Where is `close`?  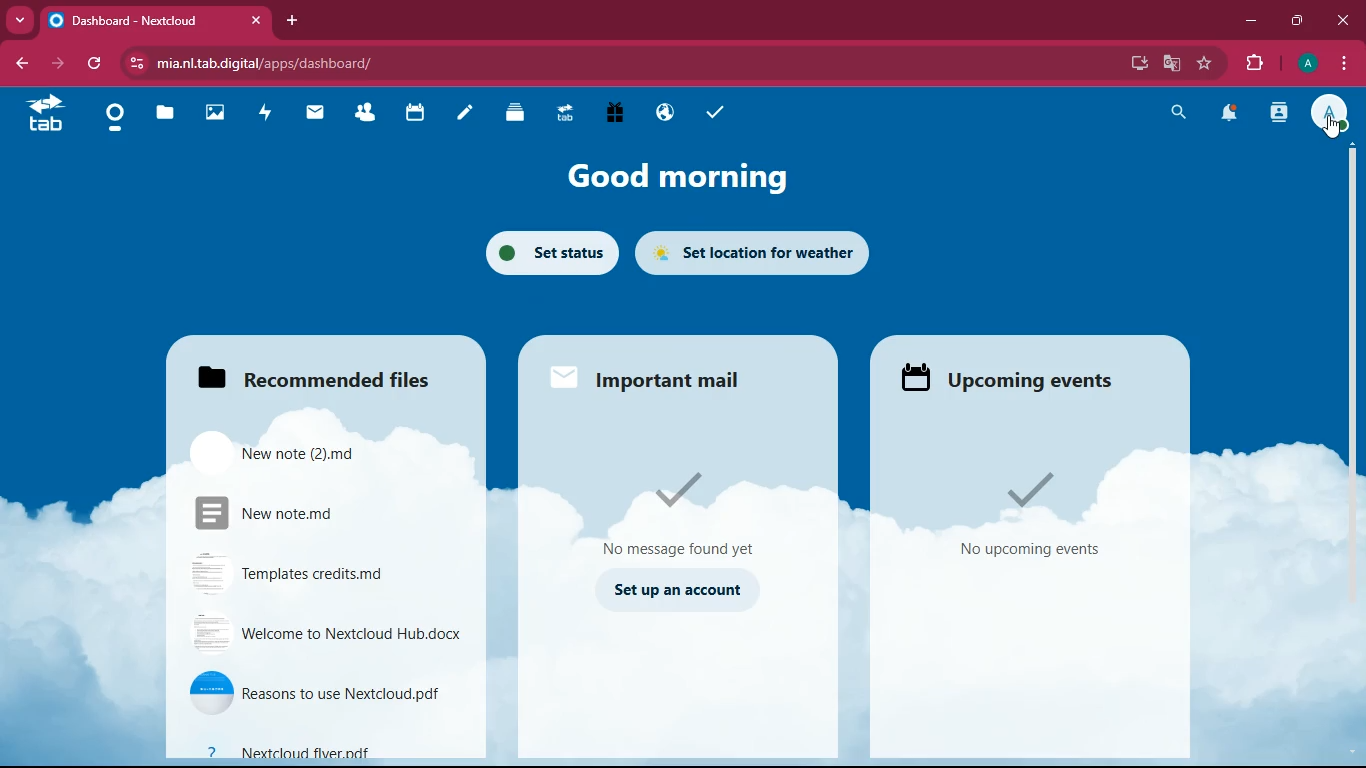
close is located at coordinates (1342, 19).